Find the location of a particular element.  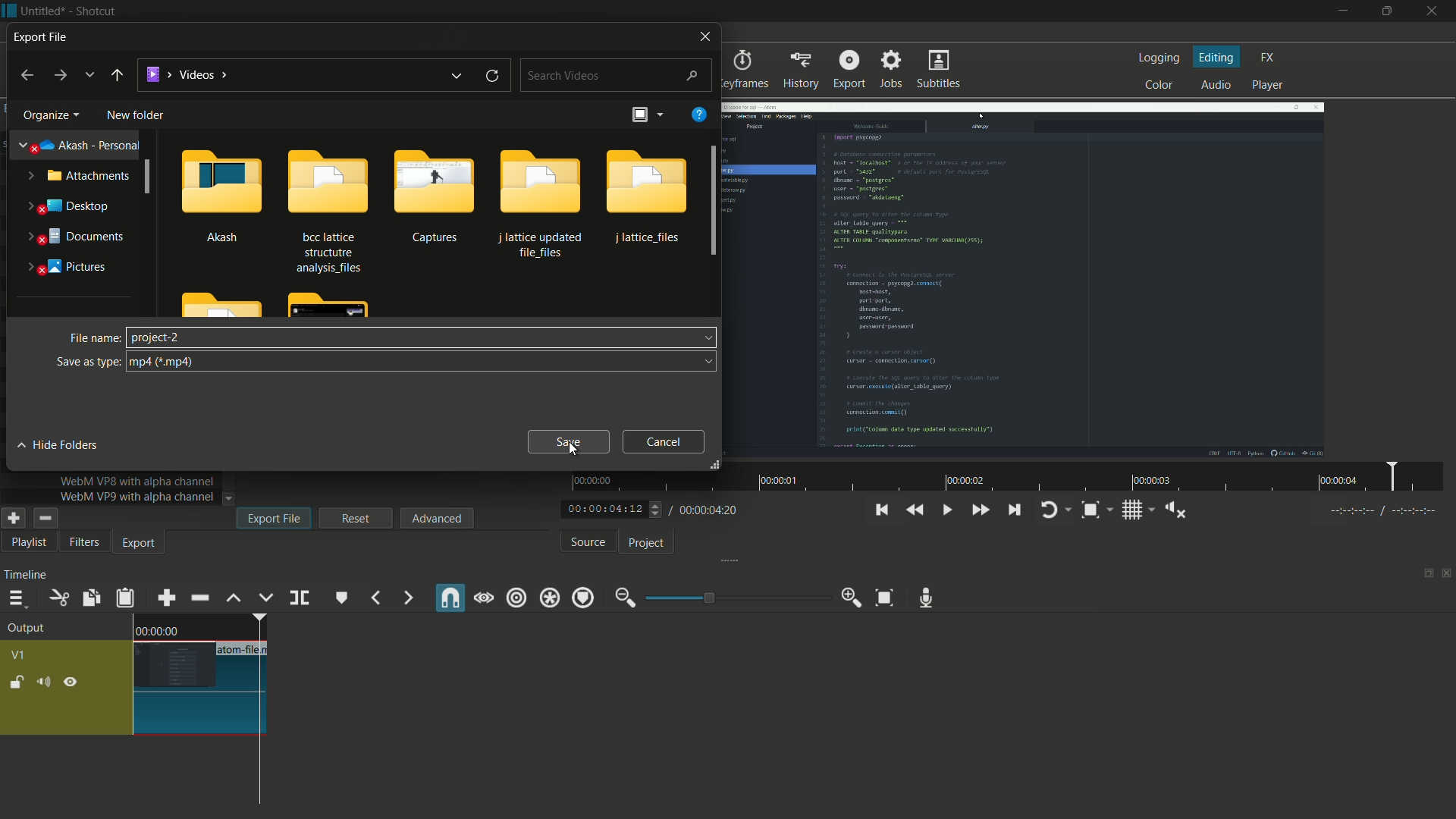

editing is located at coordinates (1218, 58).